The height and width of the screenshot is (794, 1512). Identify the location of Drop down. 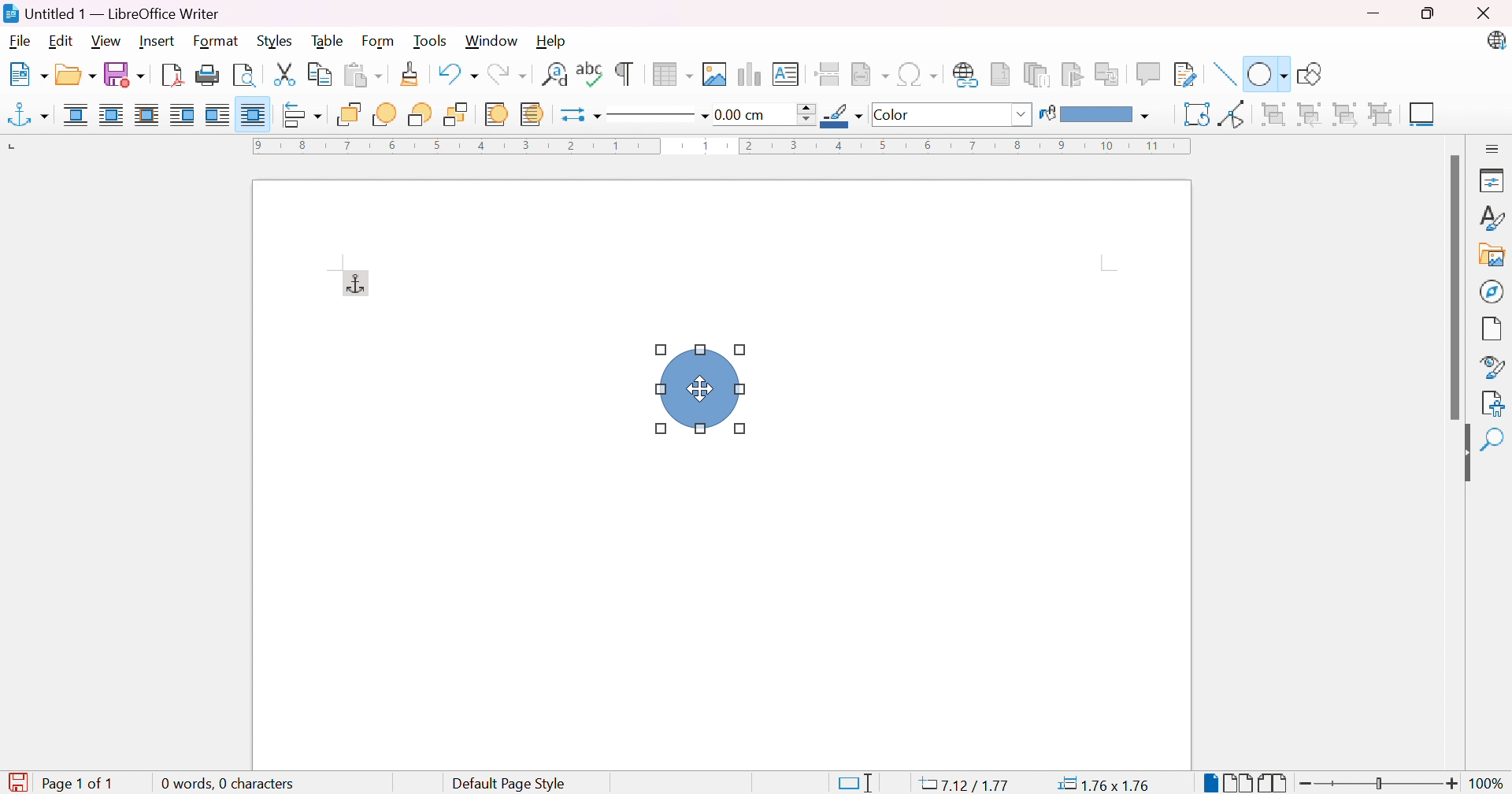
(1025, 115).